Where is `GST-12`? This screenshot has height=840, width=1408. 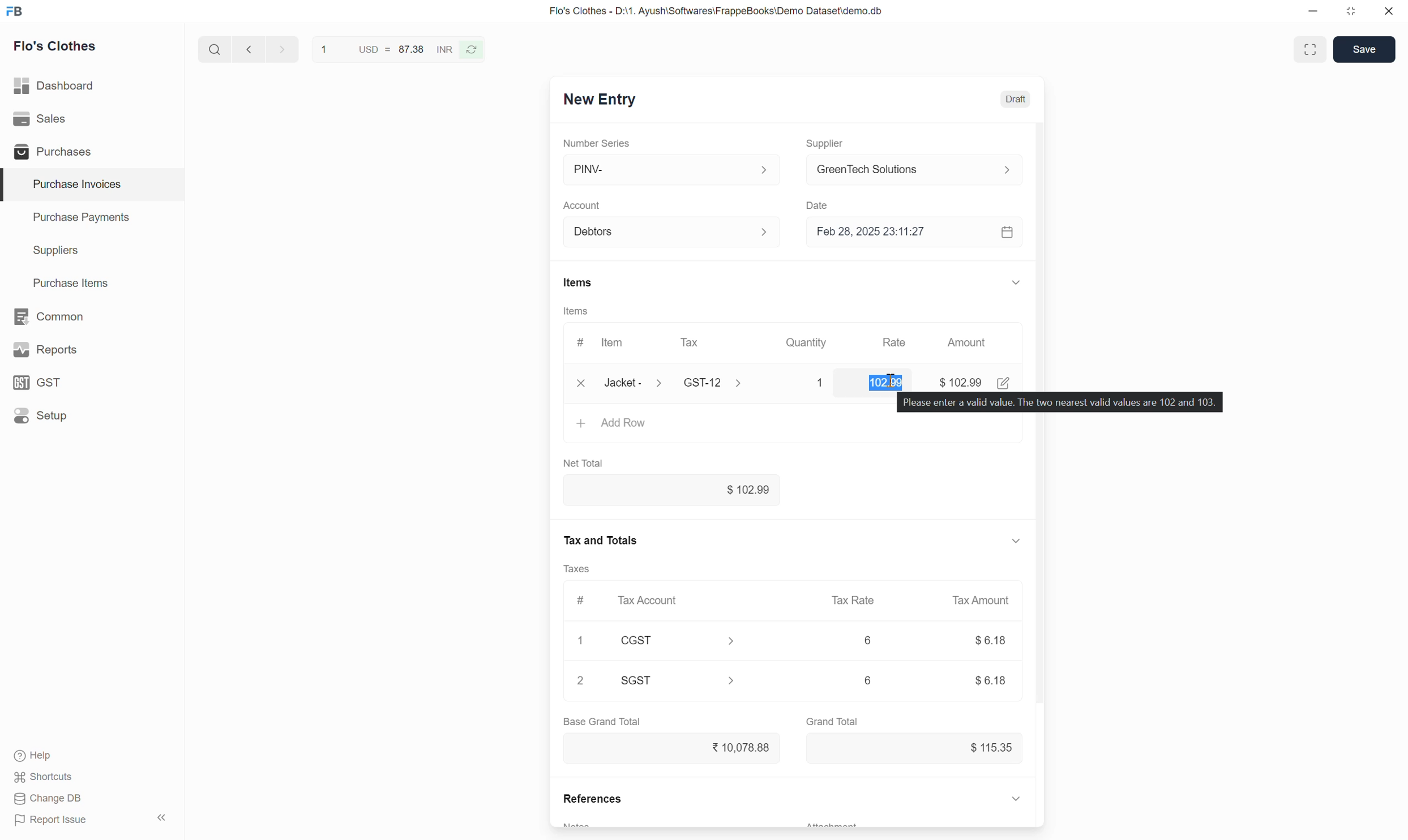
GST-12 is located at coordinates (716, 382).